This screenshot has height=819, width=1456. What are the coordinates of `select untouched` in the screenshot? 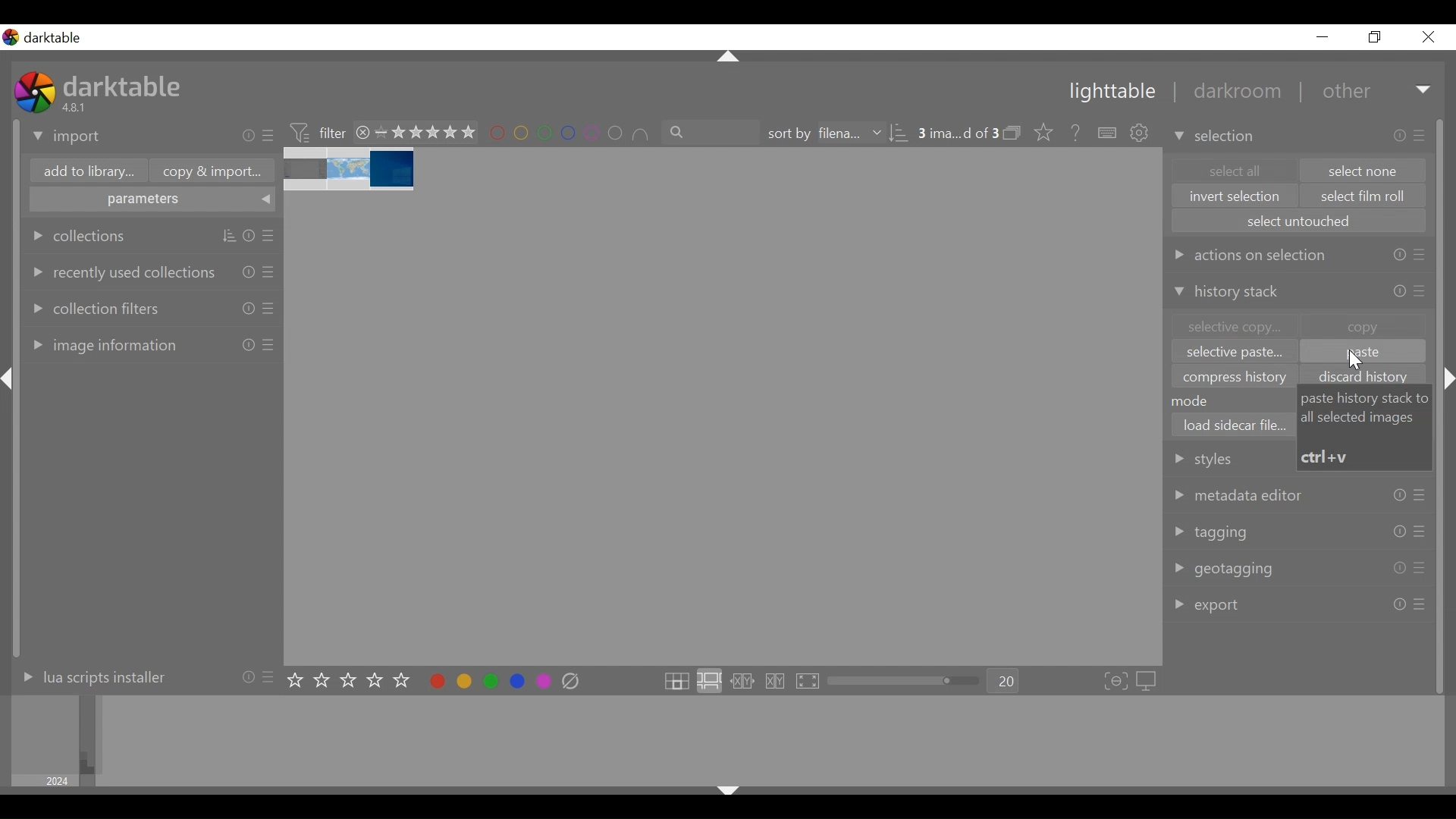 It's located at (1298, 221).